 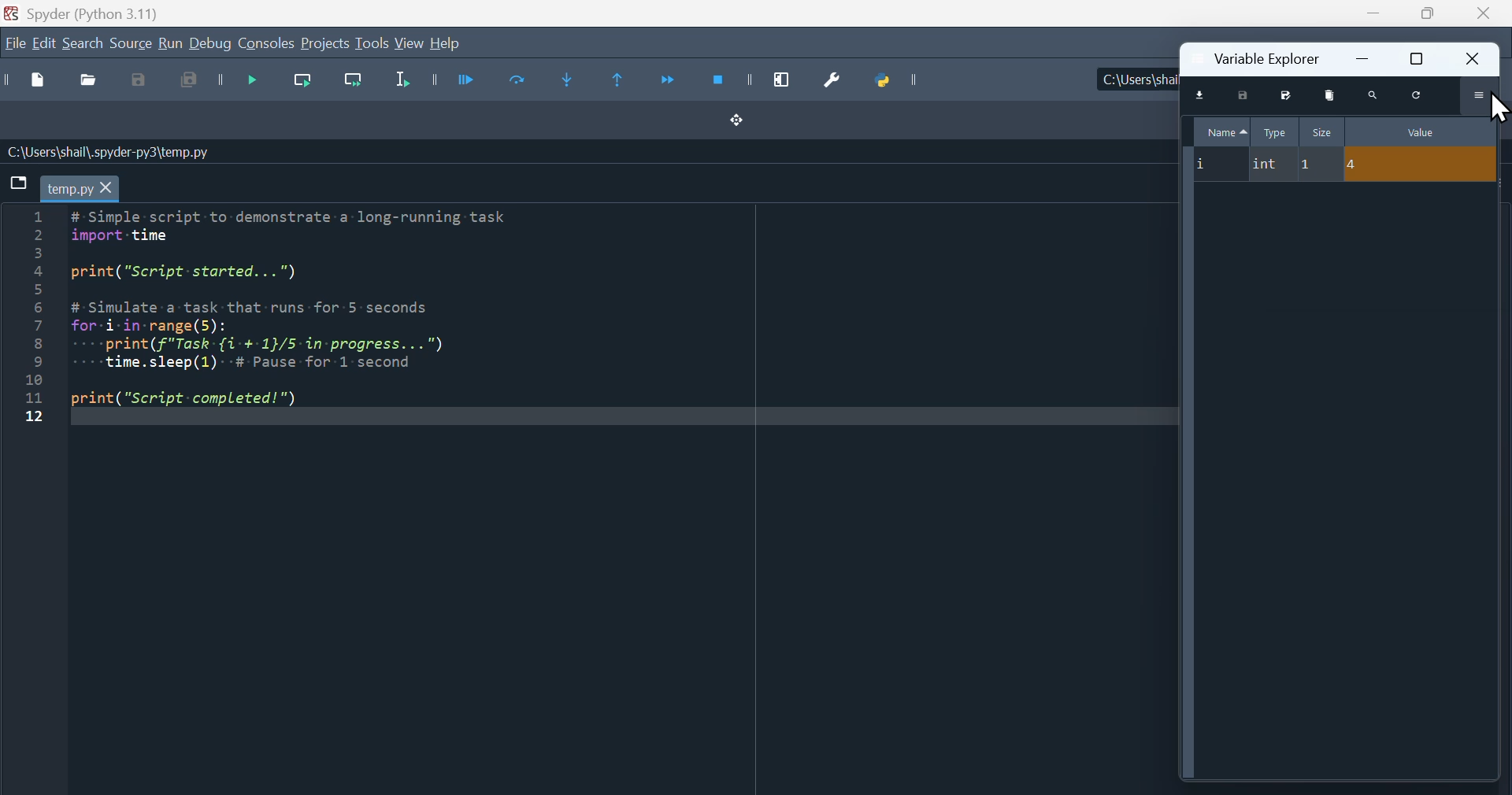 What do you see at coordinates (621, 78) in the screenshot?
I see `Execute until same function returns` at bounding box center [621, 78].